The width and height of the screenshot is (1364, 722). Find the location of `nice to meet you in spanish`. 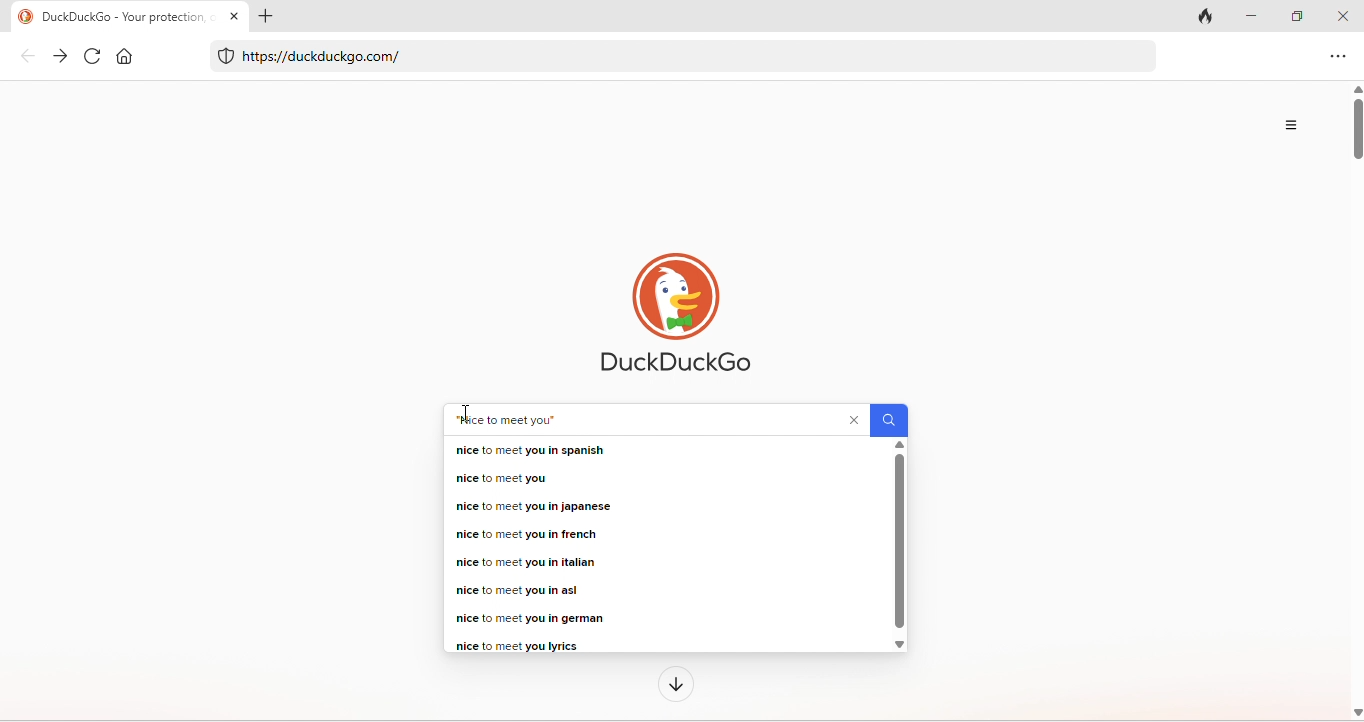

nice to meet you in spanish is located at coordinates (530, 450).